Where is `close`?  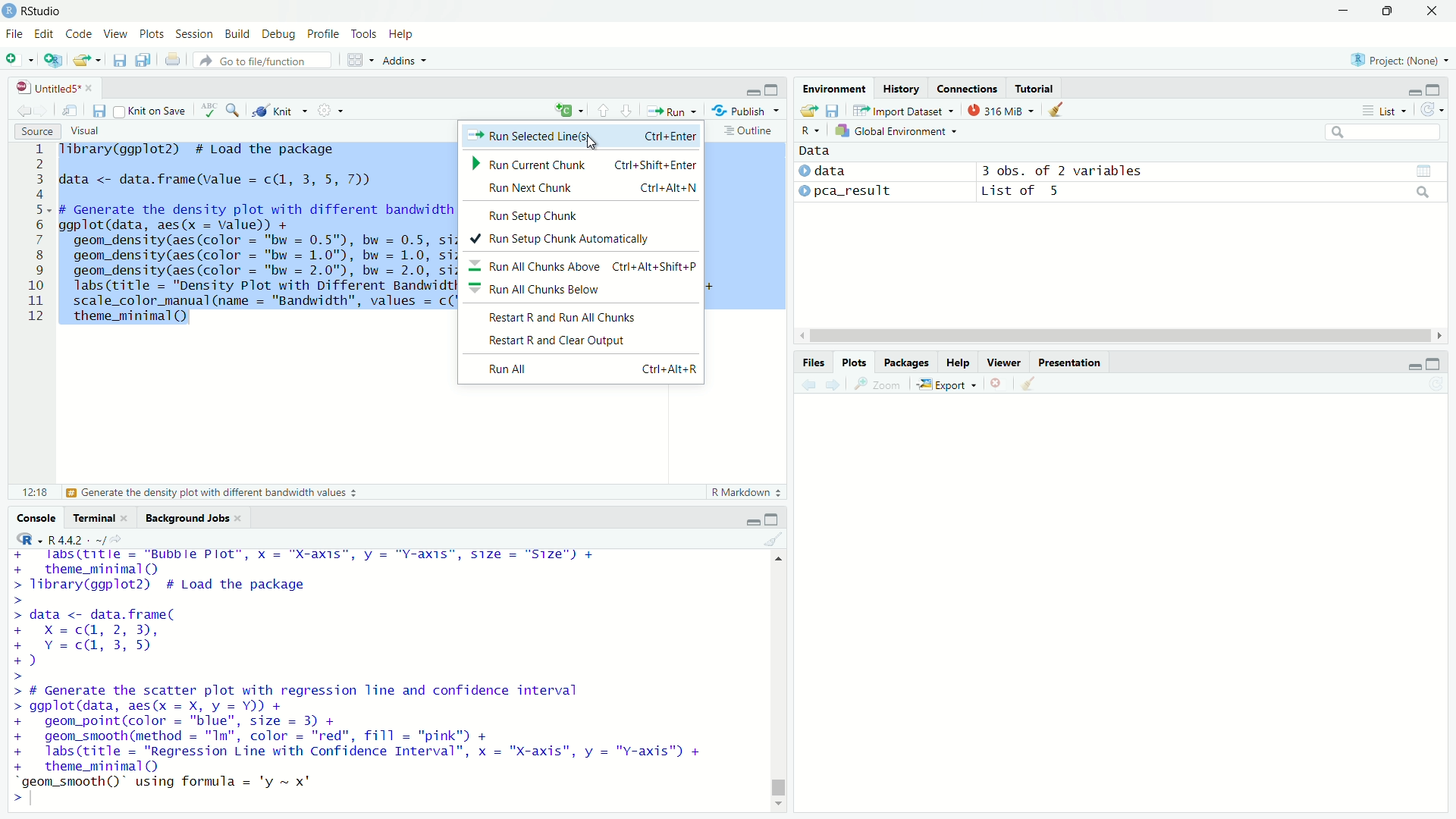
close is located at coordinates (1432, 11).